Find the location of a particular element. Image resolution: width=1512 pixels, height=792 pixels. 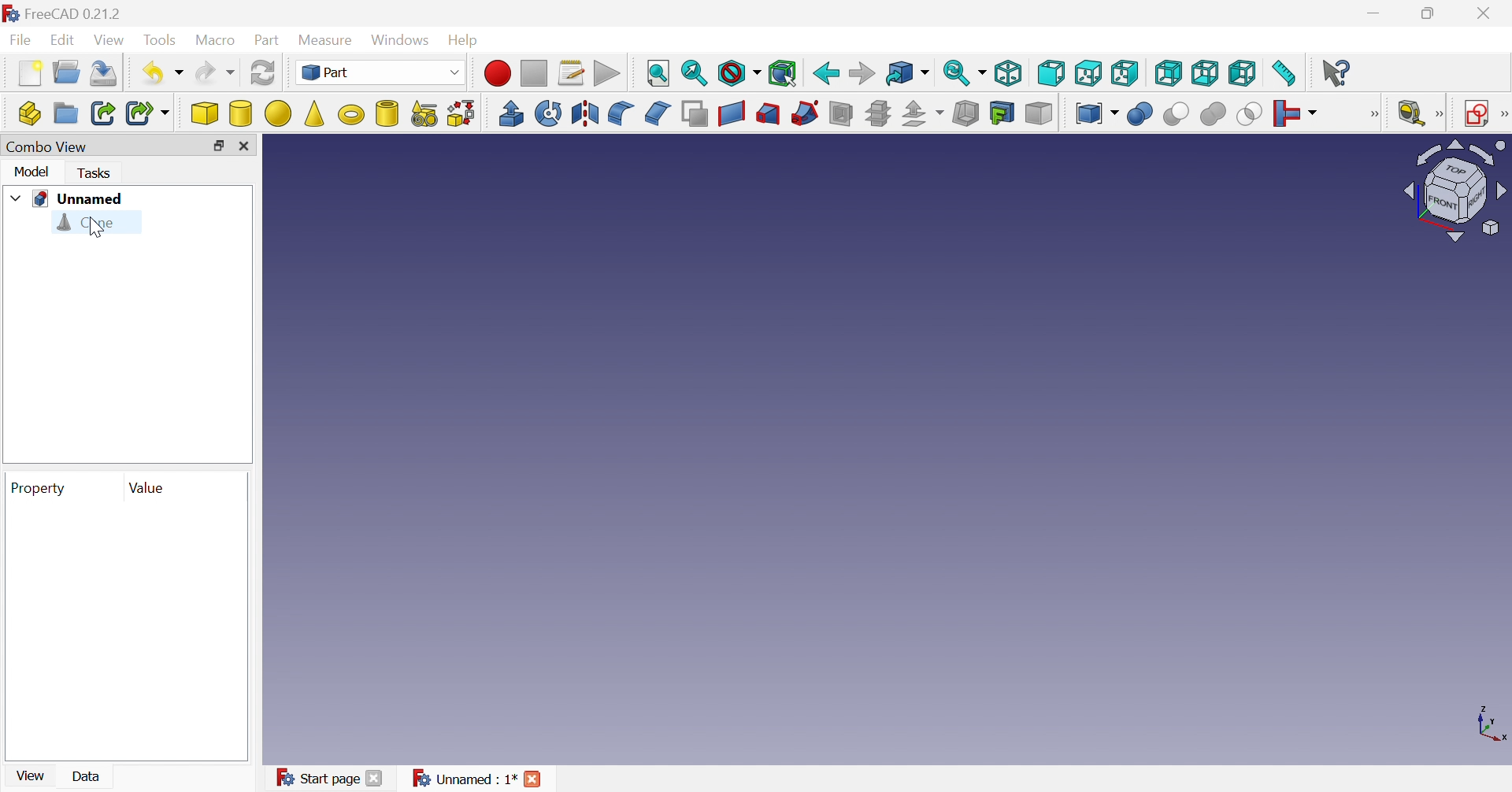

Cone is located at coordinates (89, 224).